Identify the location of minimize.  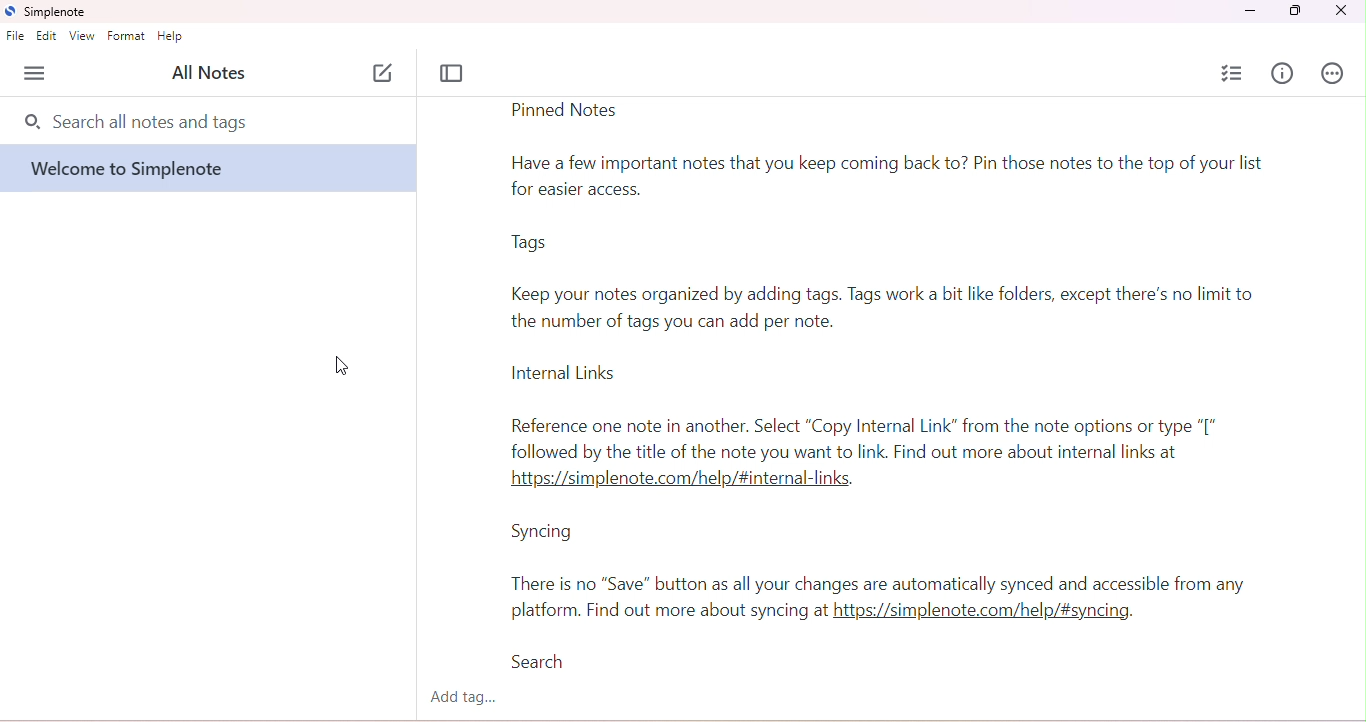
(1248, 12).